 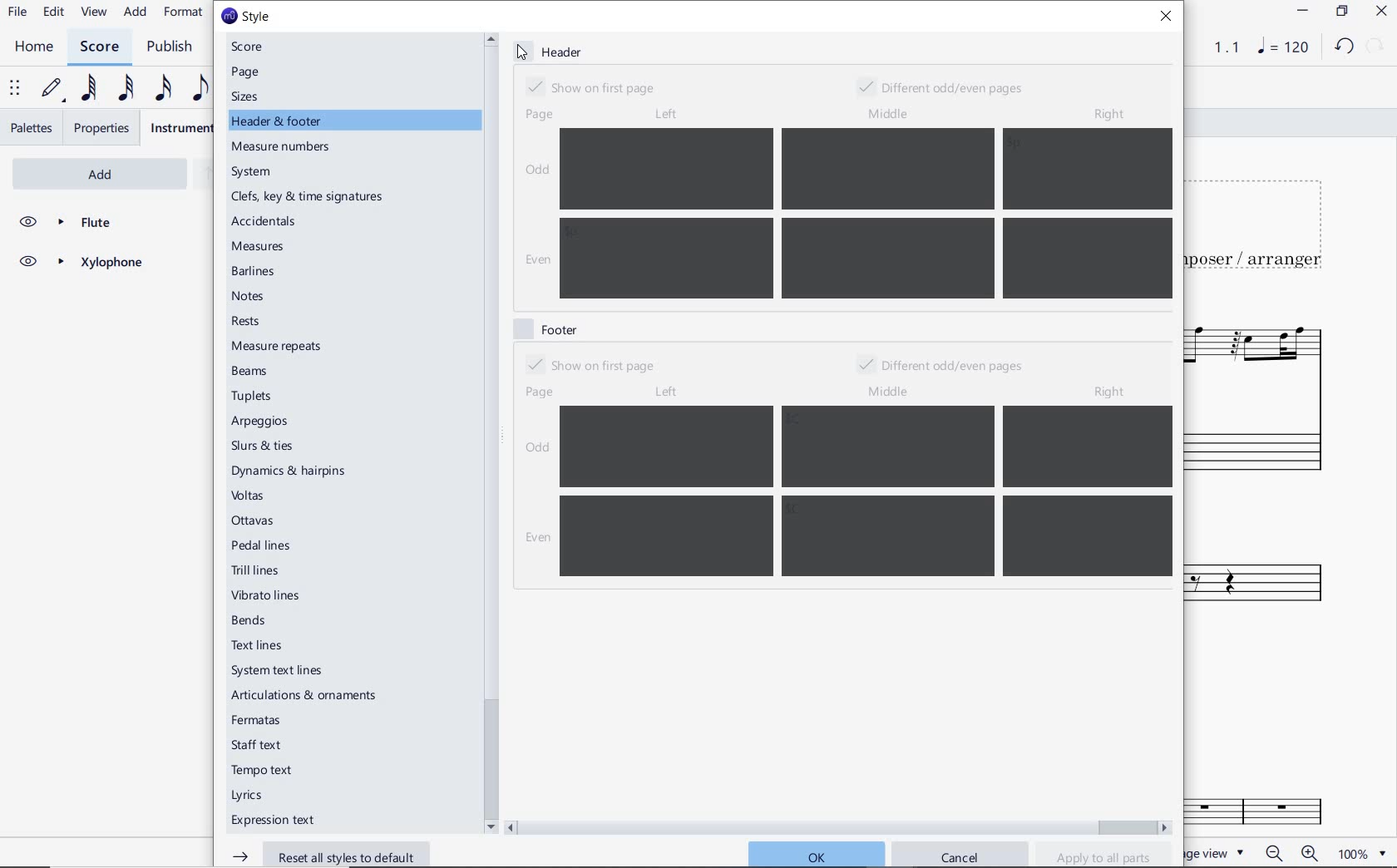 I want to click on fermatas, so click(x=254, y=721).